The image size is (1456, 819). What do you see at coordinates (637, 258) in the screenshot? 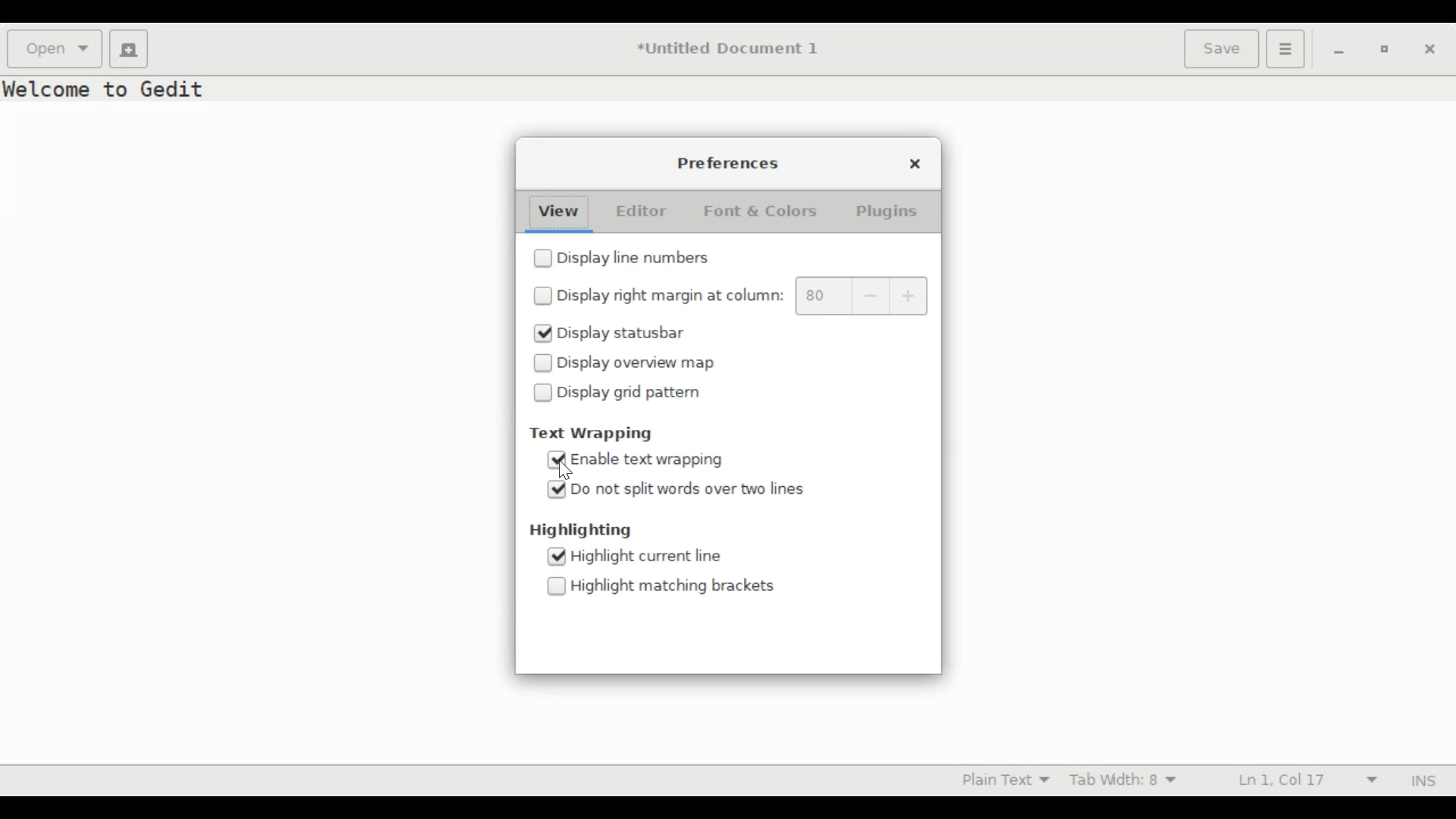
I see `Display line numbers` at bounding box center [637, 258].